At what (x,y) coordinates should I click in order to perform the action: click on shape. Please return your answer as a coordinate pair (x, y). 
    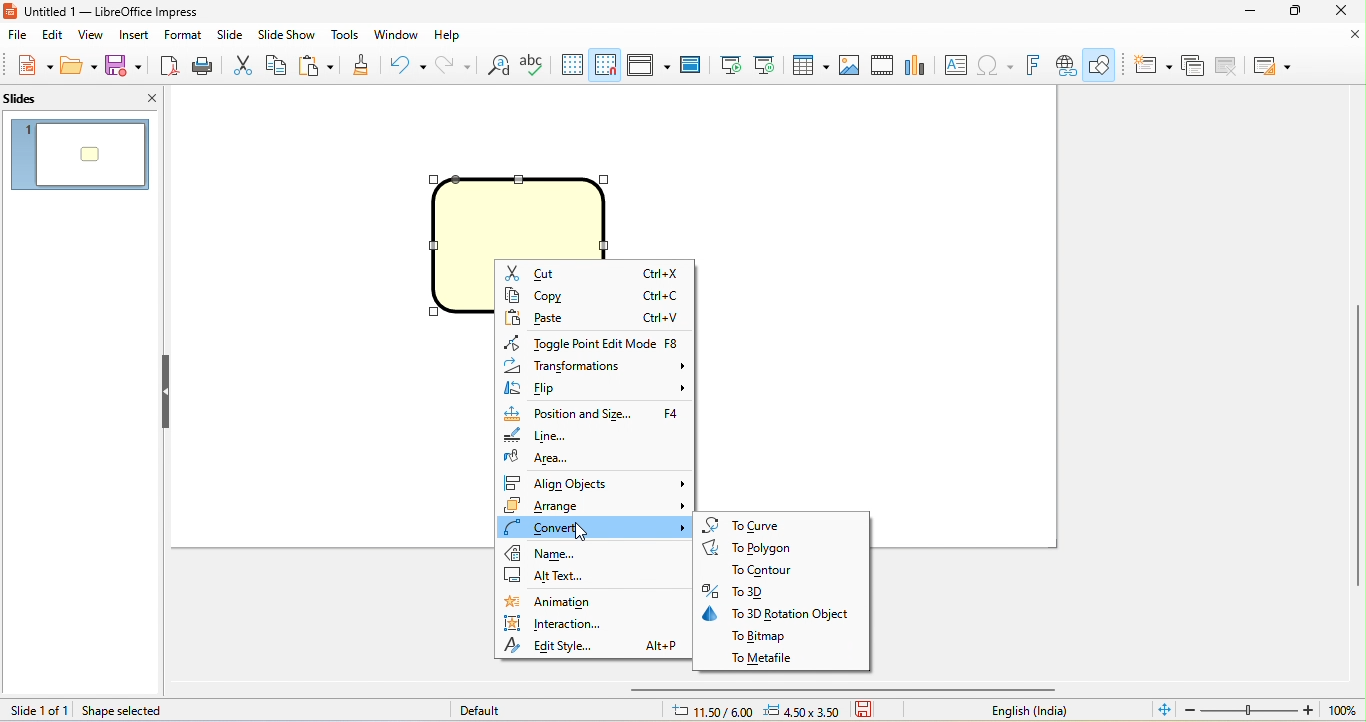
    Looking at the image, I should click on (523, 213).